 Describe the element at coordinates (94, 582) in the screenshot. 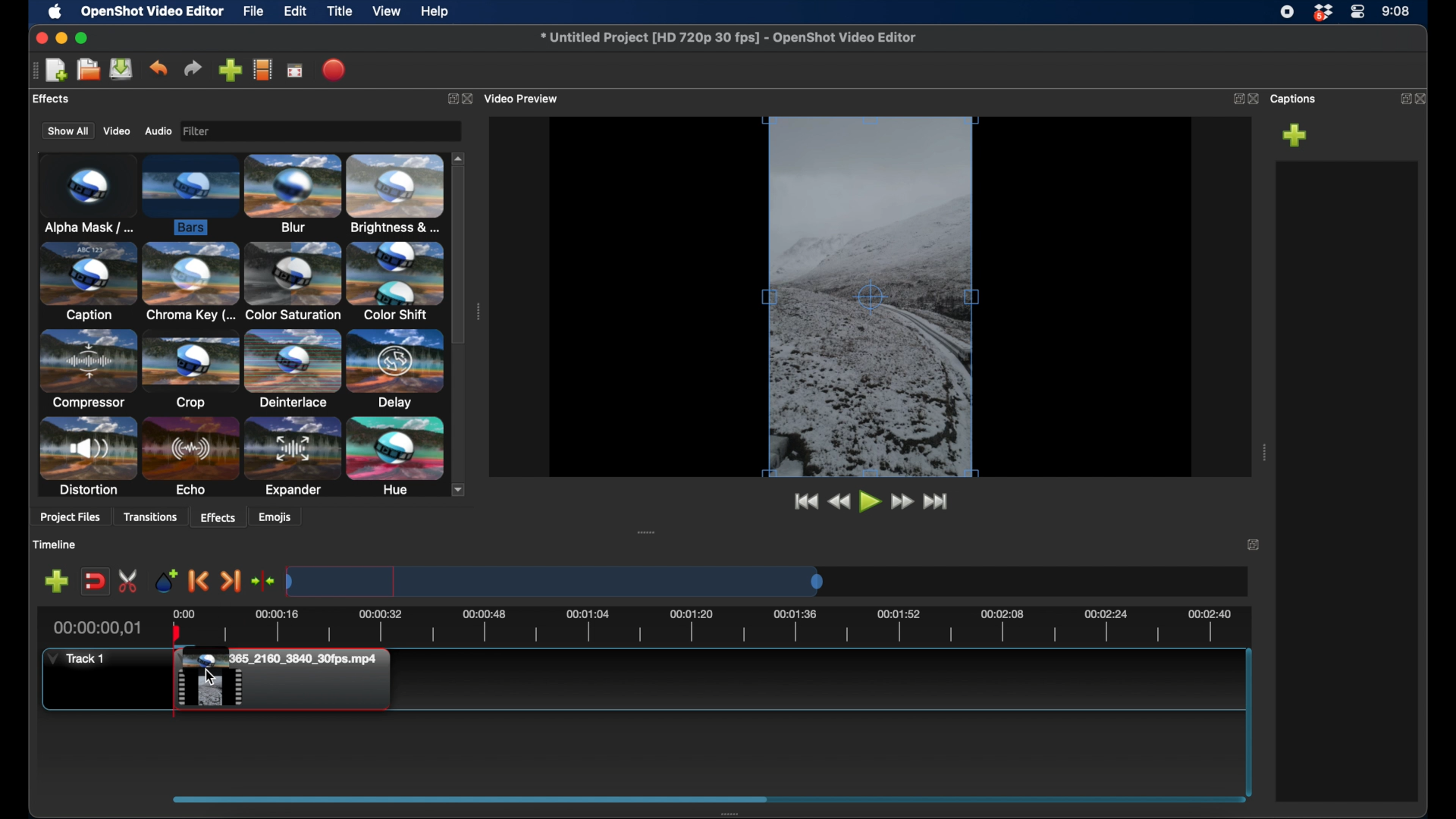

I see `disable snapping` at that location.